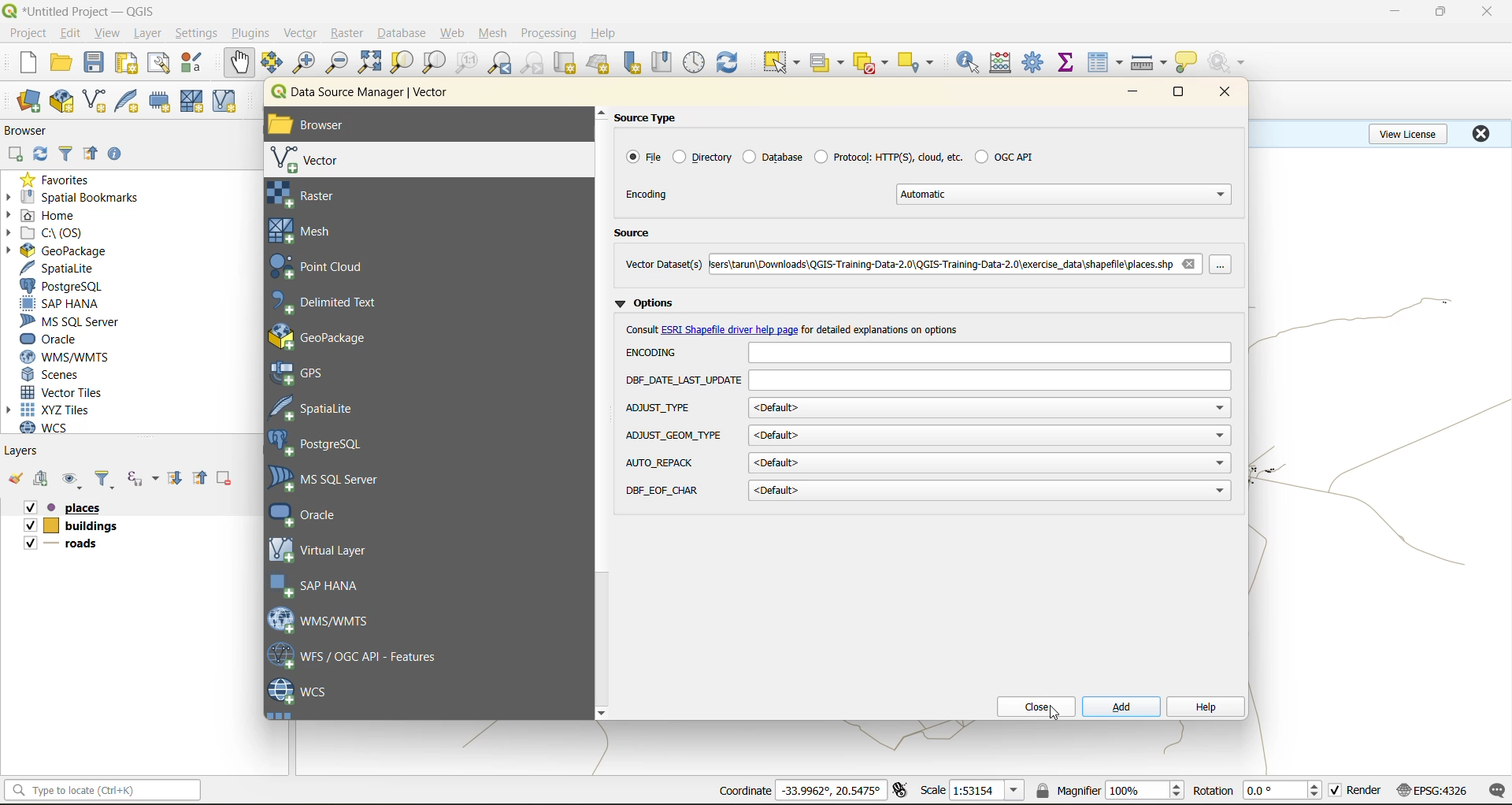  Describe the element at coordinates (239, 63) in the screenshot. I see `pan map` at that location.